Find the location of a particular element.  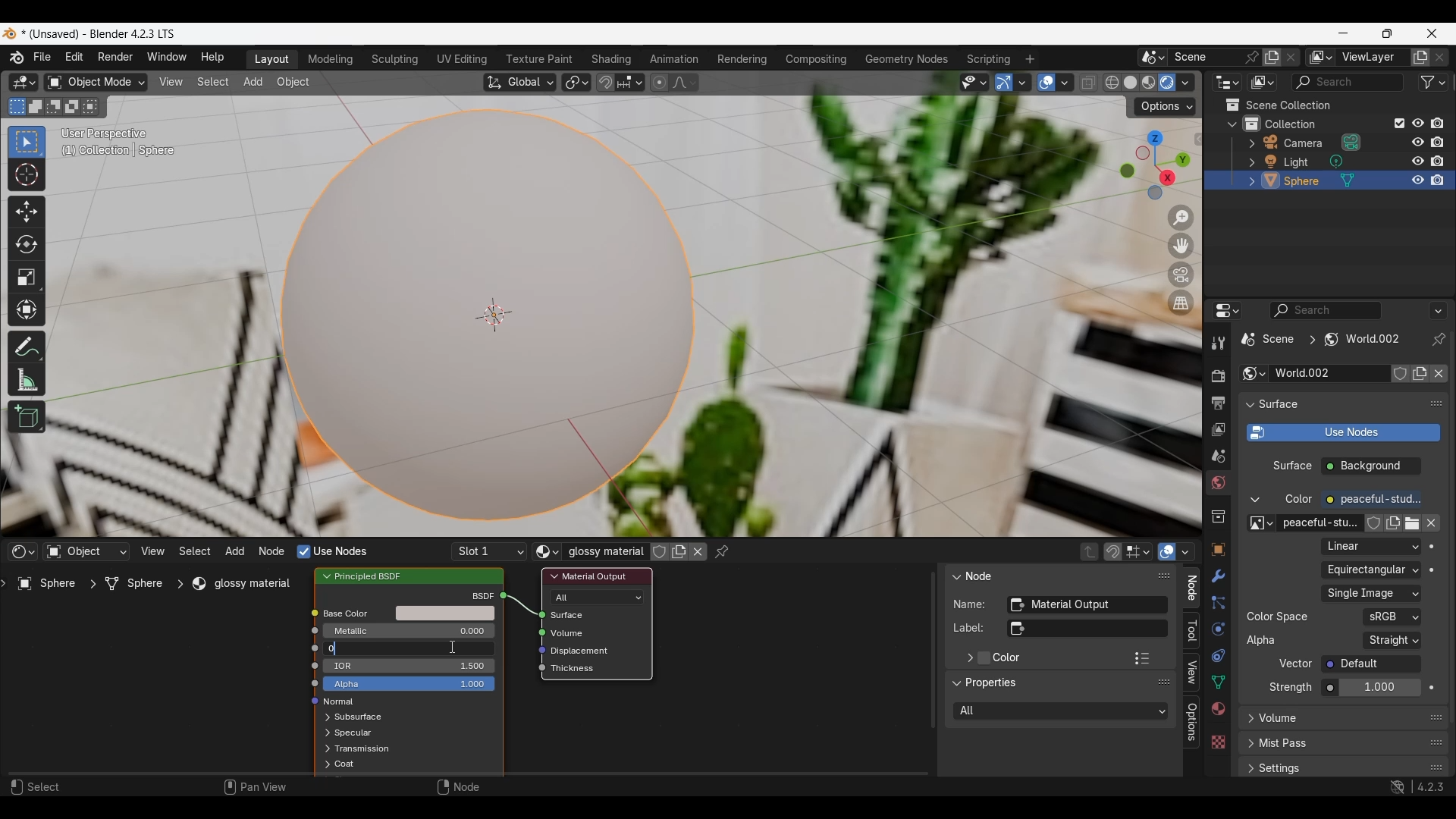

expand respective scenes is located at coordinates (1247, 180).